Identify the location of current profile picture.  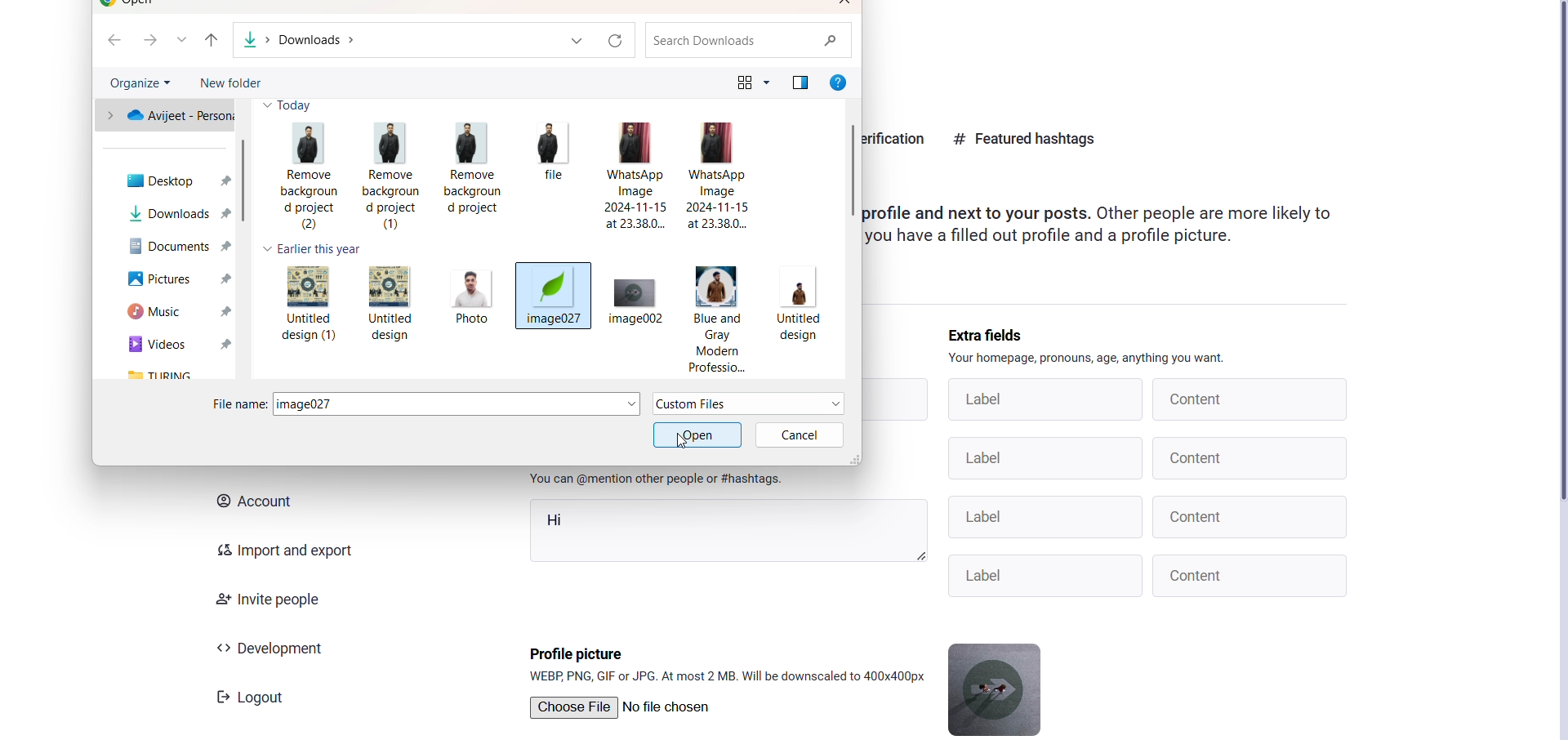
(998, 688).